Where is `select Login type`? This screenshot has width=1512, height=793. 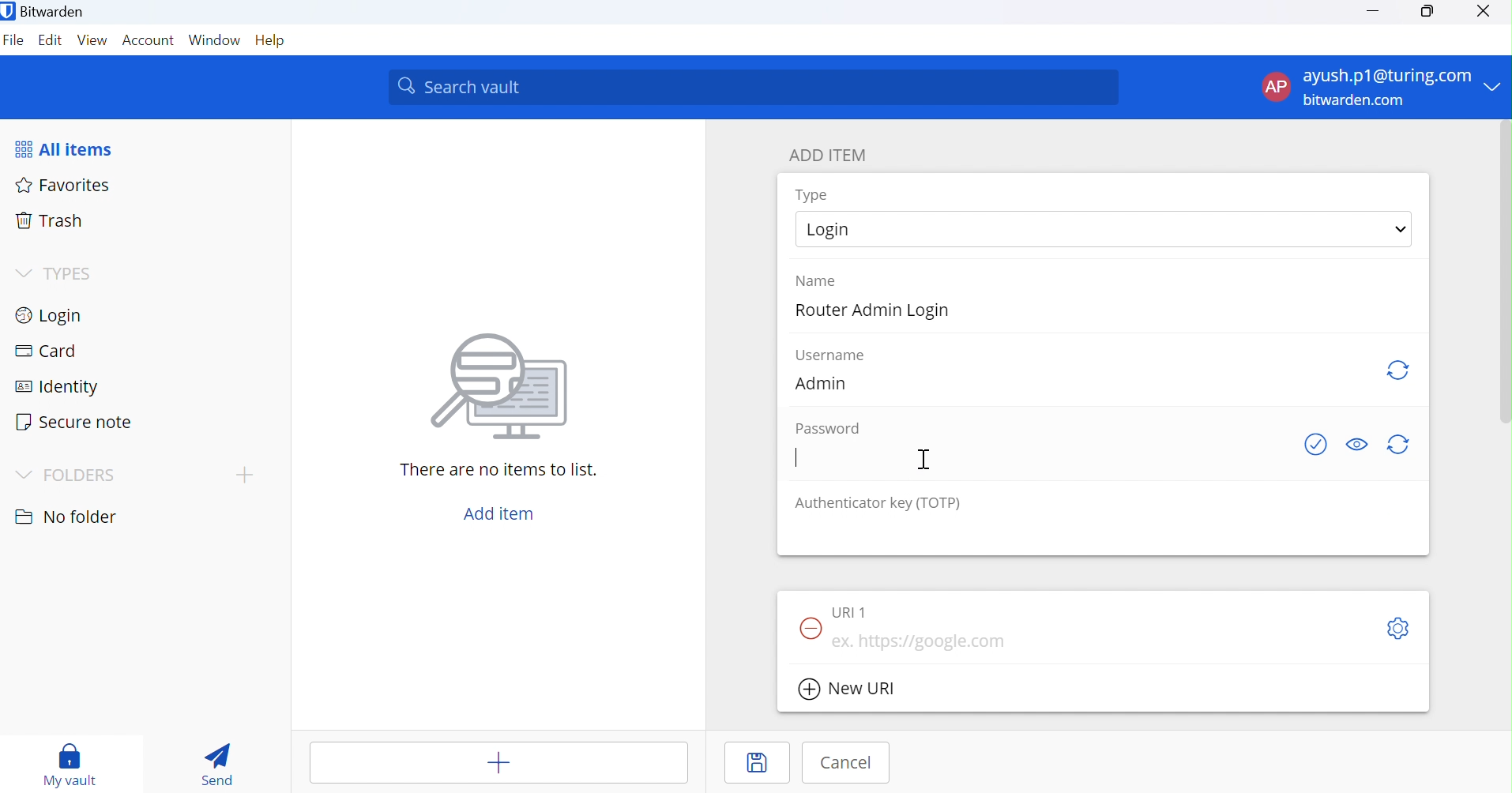
select Login type is located at coordinates (1104, 228).